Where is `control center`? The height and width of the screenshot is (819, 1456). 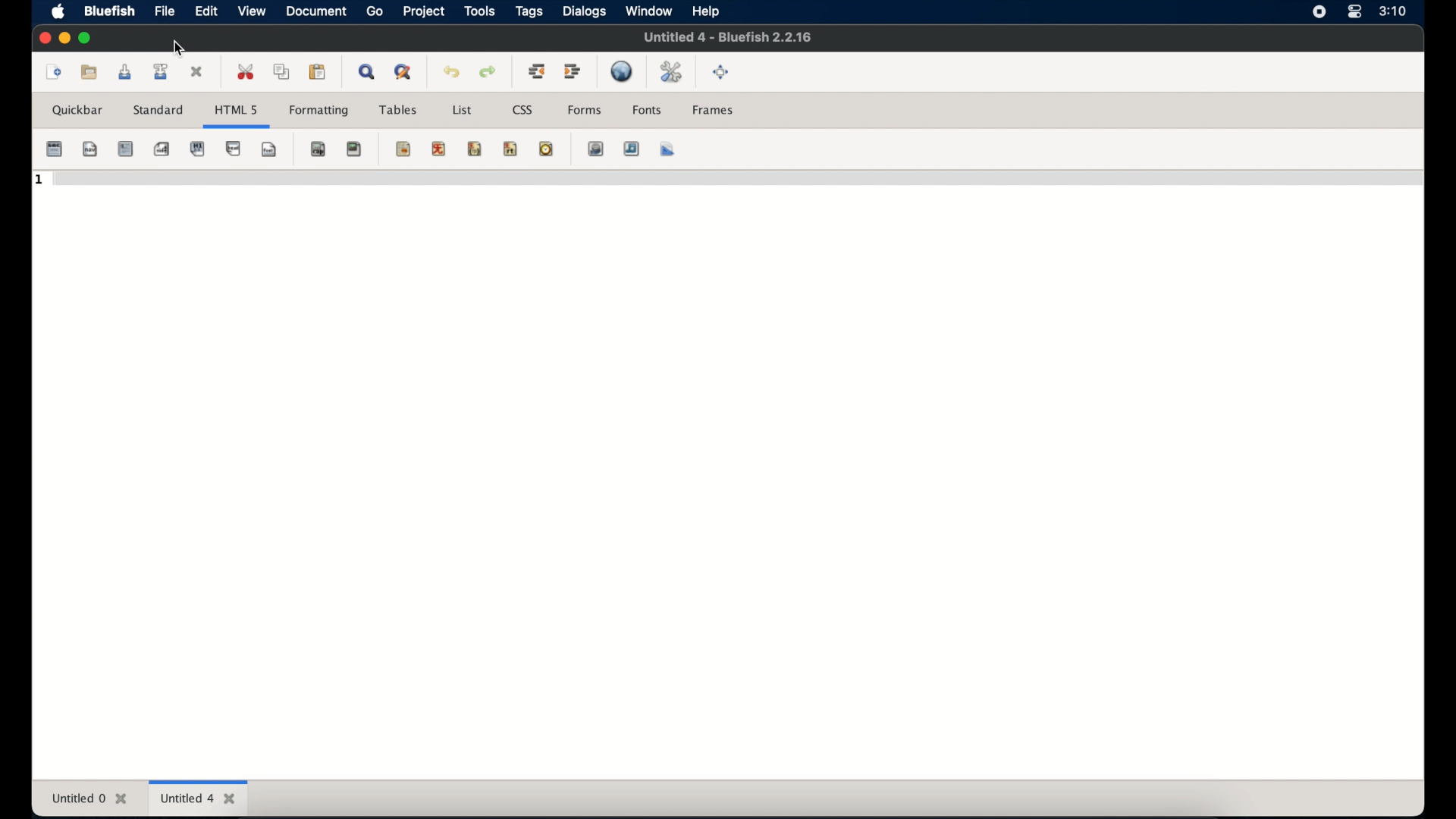 control center is located at coordinates (1353, 12).